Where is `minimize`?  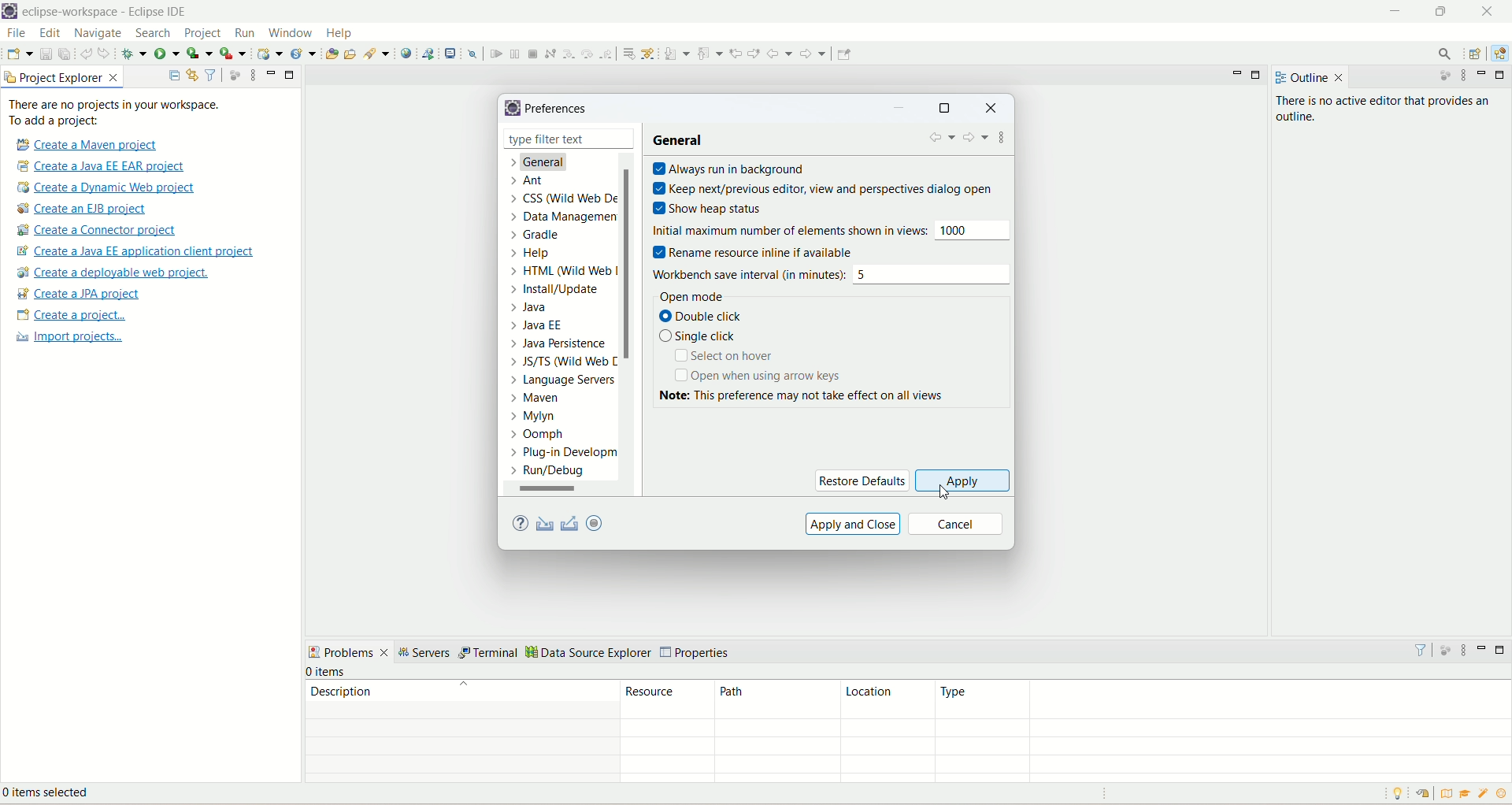
minimize is located at coordinates (1395, 13).